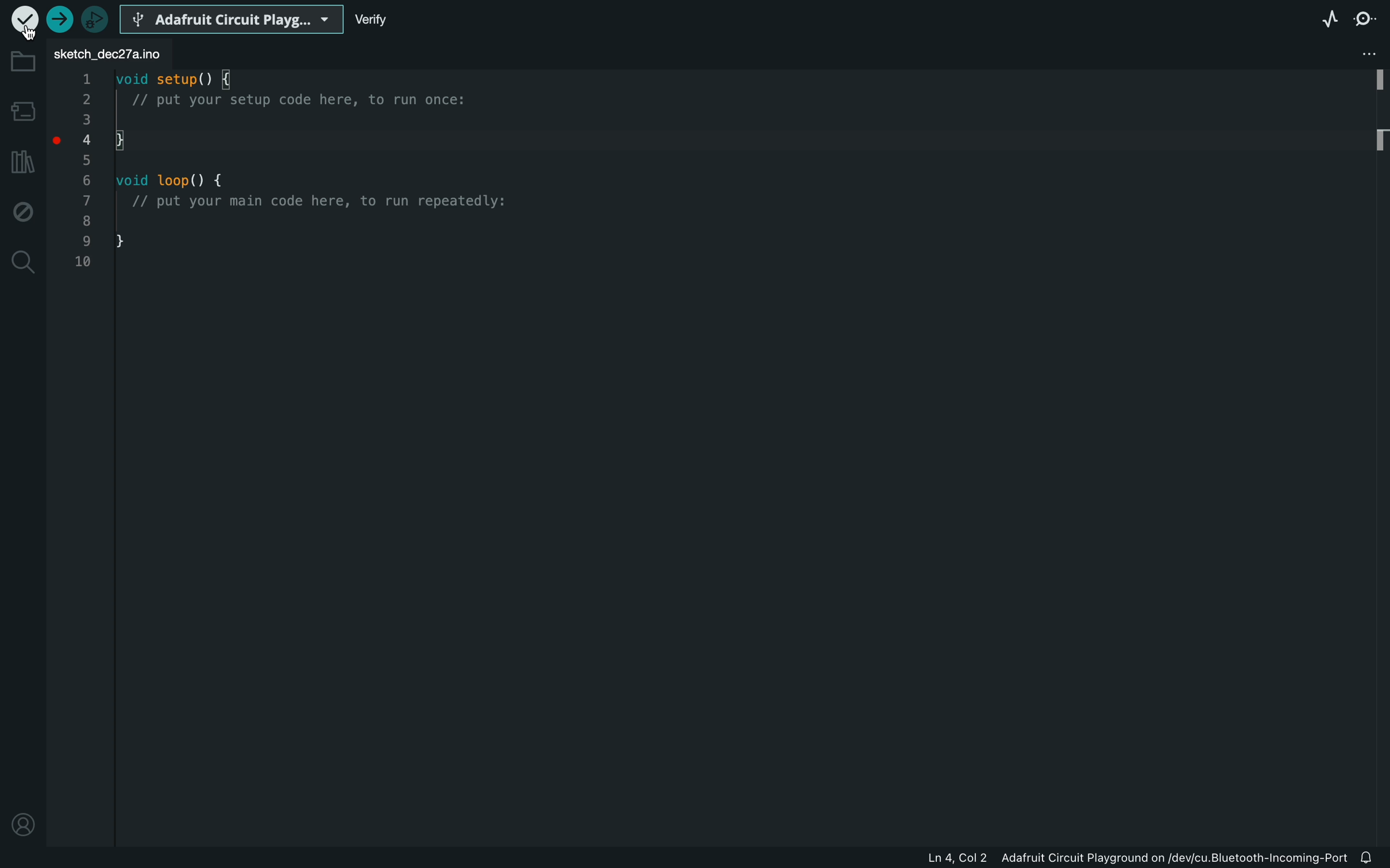 The image size is (1390, 868). What do you see at coordinates (1330, 22) in the screenshot?
I see `serial plotter` at bounding box center [1330, 22].